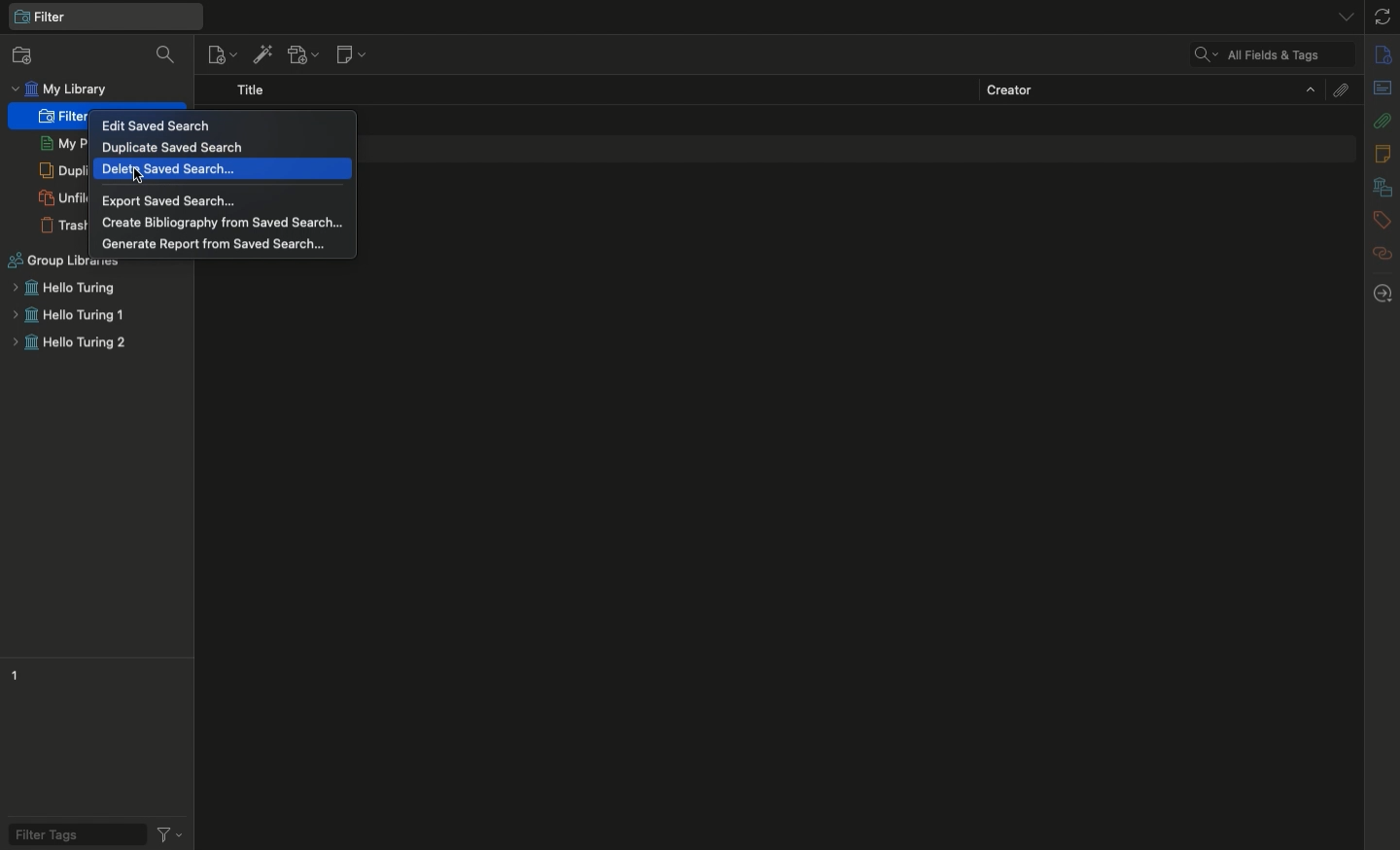 This screenshot has height=850, width=1400. What do you see at coordinates (57, 169) in the screenshot?
I see `Duplicate items` at bounding box center [57, 169].